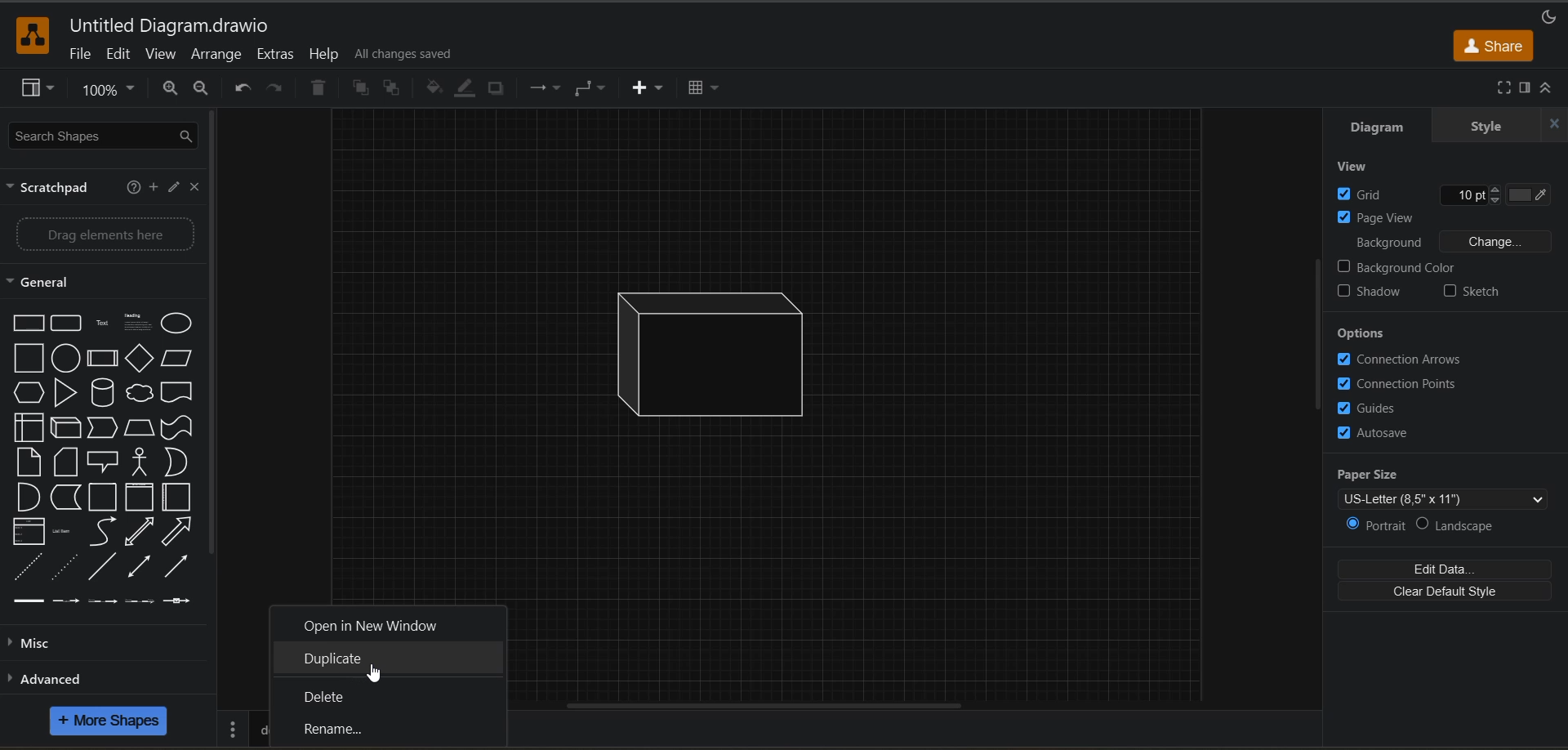 This screenshot has width=1568, height=750. What do you see at coordinates (1368, 294) in the screenshot?
I see `shadow` at bounding box center [1368, 294].